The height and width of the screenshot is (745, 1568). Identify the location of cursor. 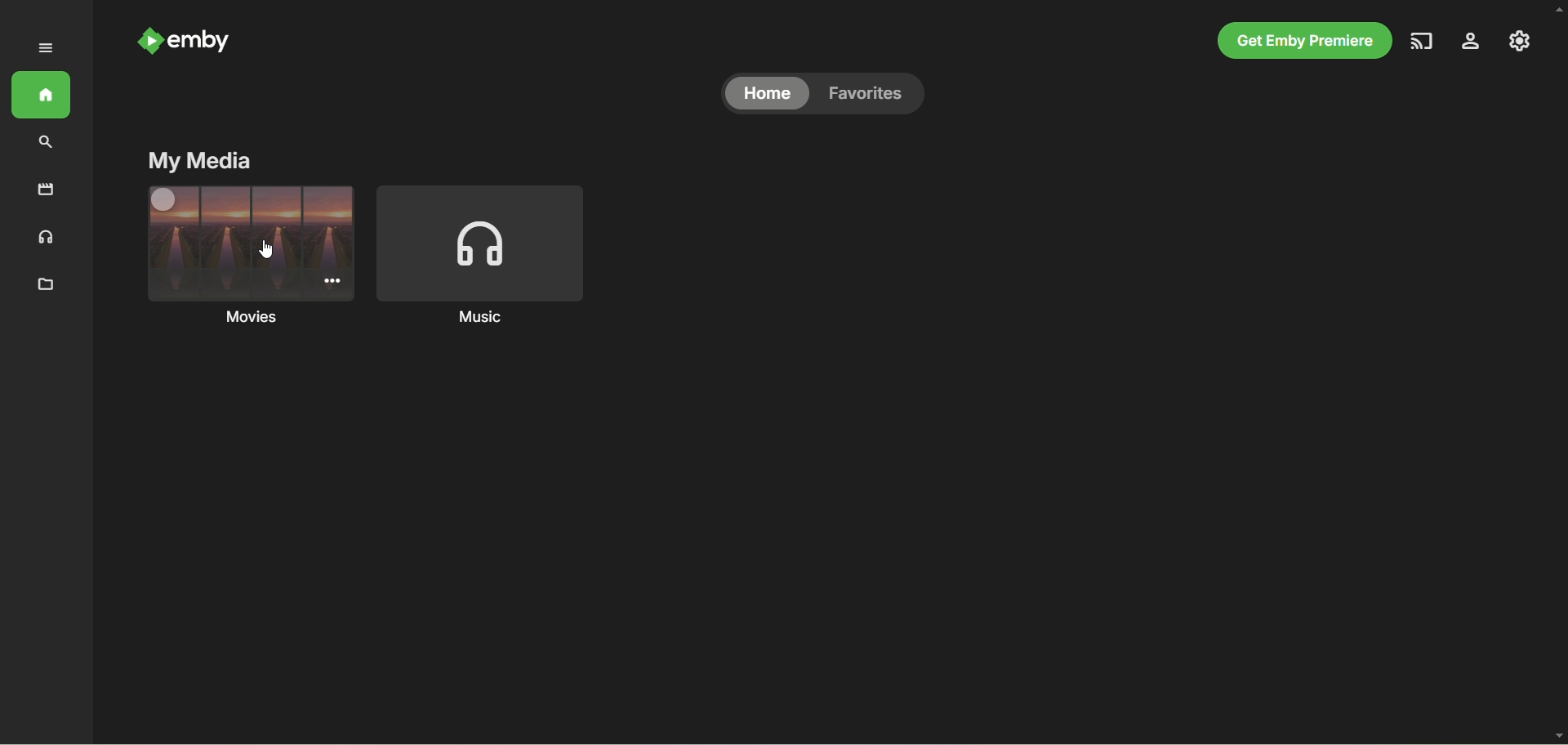
(268, 251).